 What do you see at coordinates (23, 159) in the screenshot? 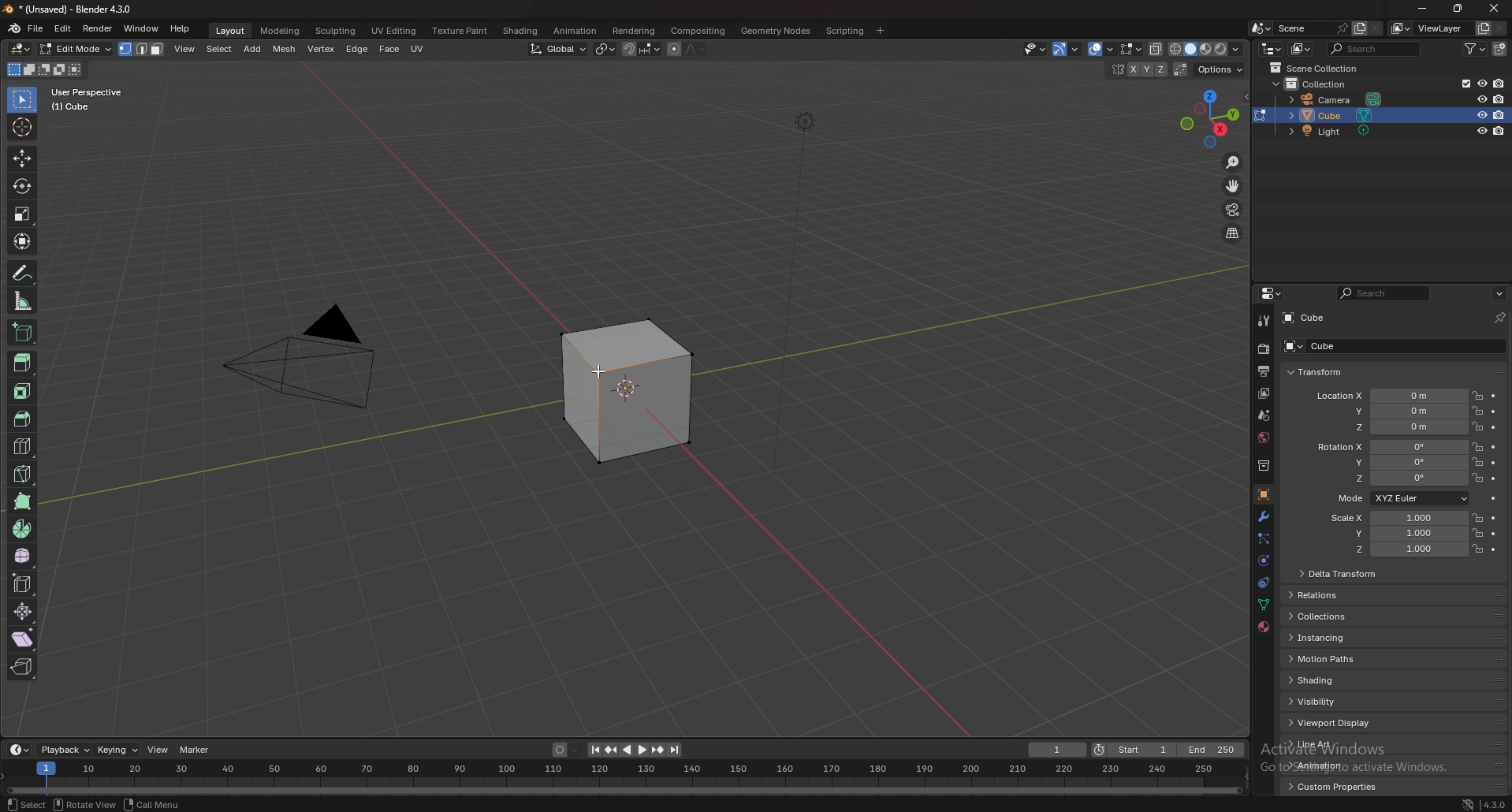
I see `move` at bounding box center [23, 159].